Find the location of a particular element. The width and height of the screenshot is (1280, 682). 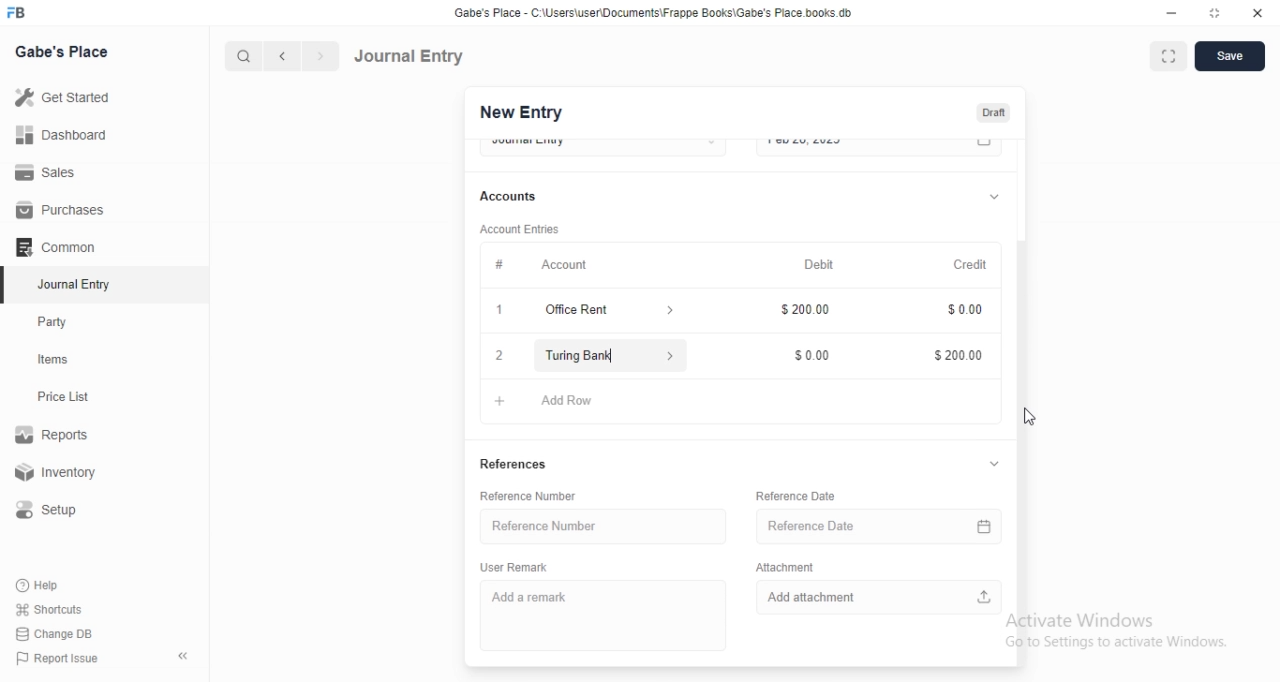

2 is located at coordinates (496, 356).